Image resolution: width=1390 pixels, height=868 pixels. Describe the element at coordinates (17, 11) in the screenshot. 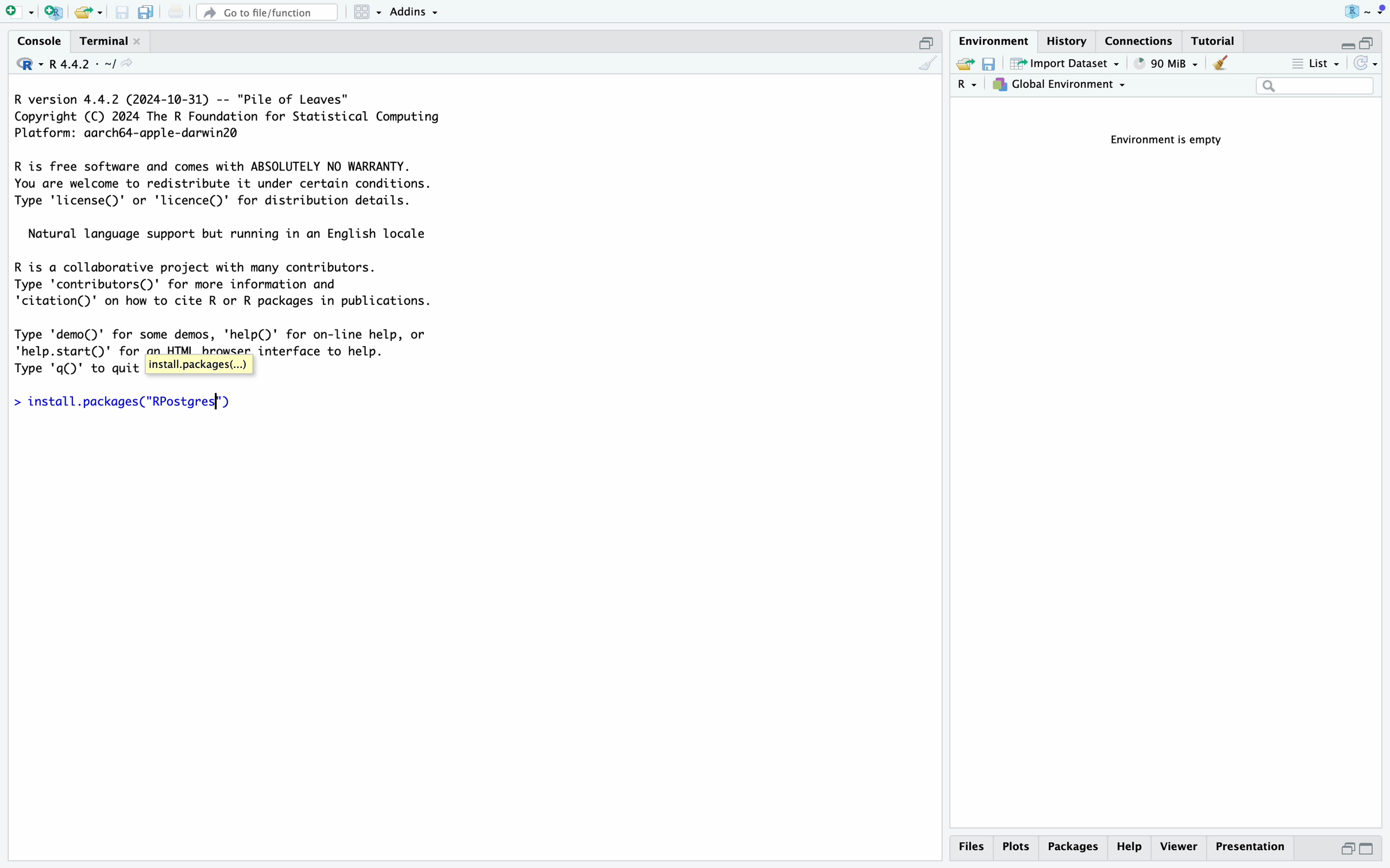

I see `new file` at that location.